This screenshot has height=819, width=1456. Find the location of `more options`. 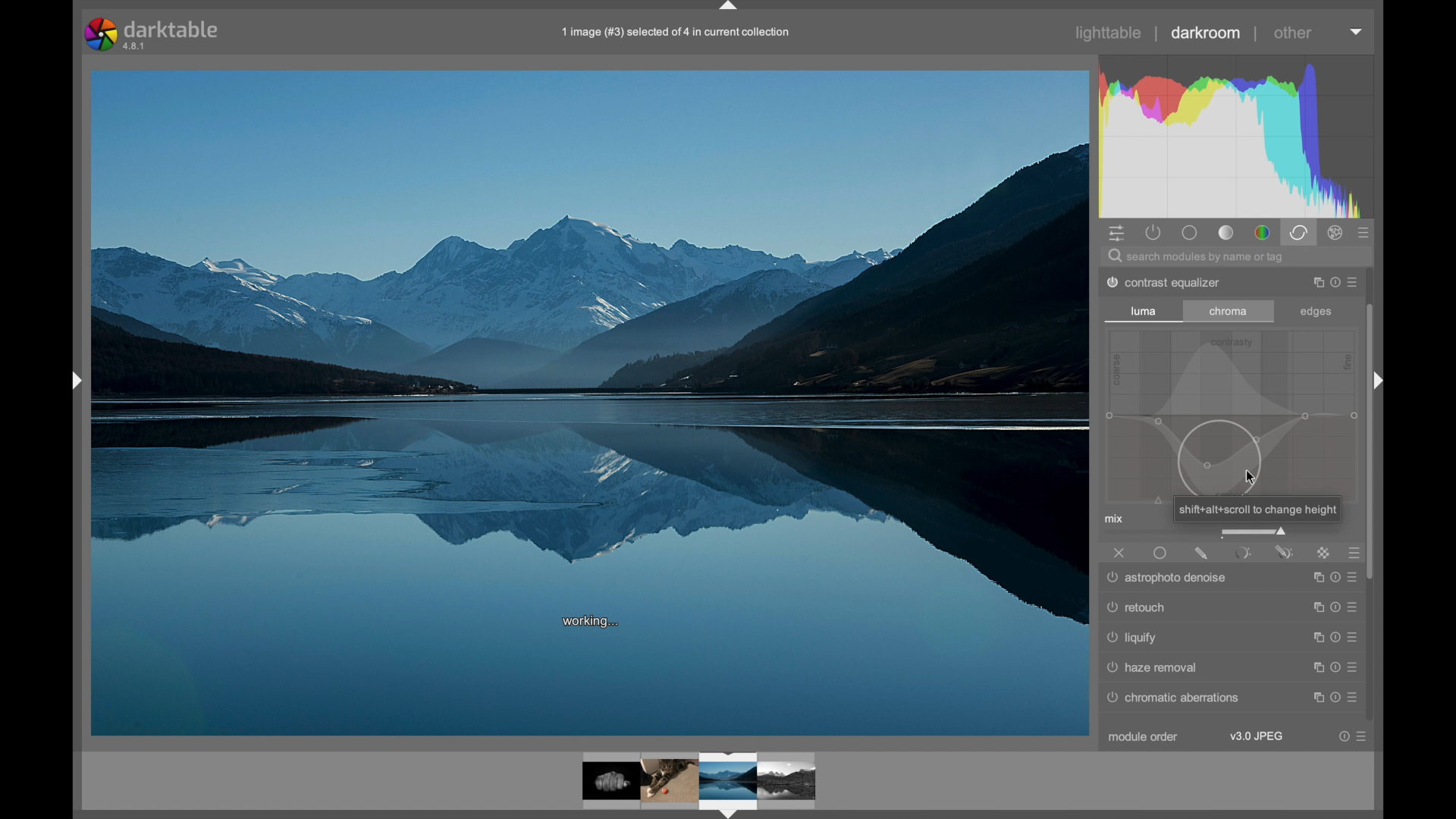

more options is located at coordinates (1327, 669).